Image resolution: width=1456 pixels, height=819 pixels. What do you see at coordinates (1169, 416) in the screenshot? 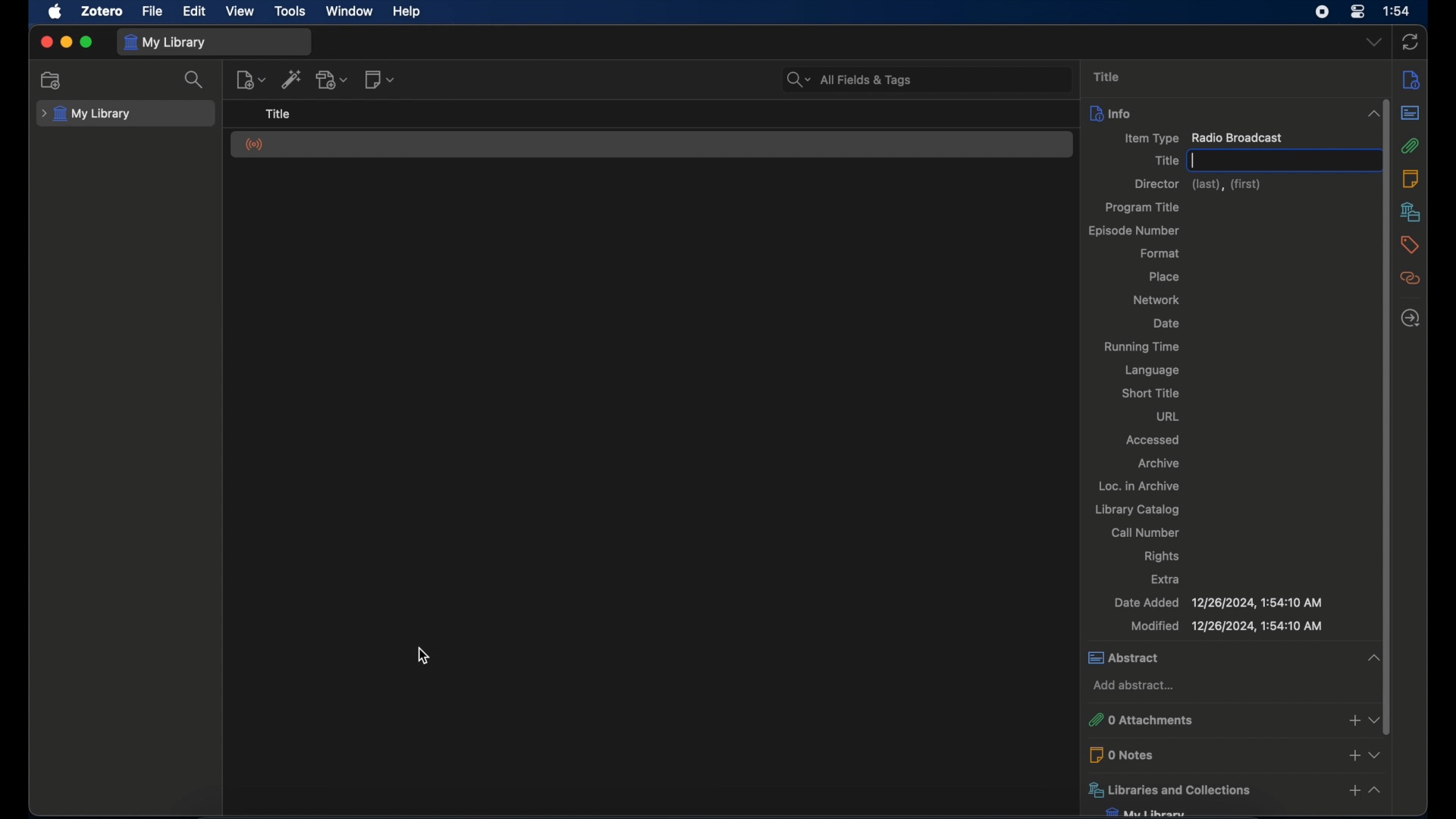
I see `url` at bounding box center [1169, 416].